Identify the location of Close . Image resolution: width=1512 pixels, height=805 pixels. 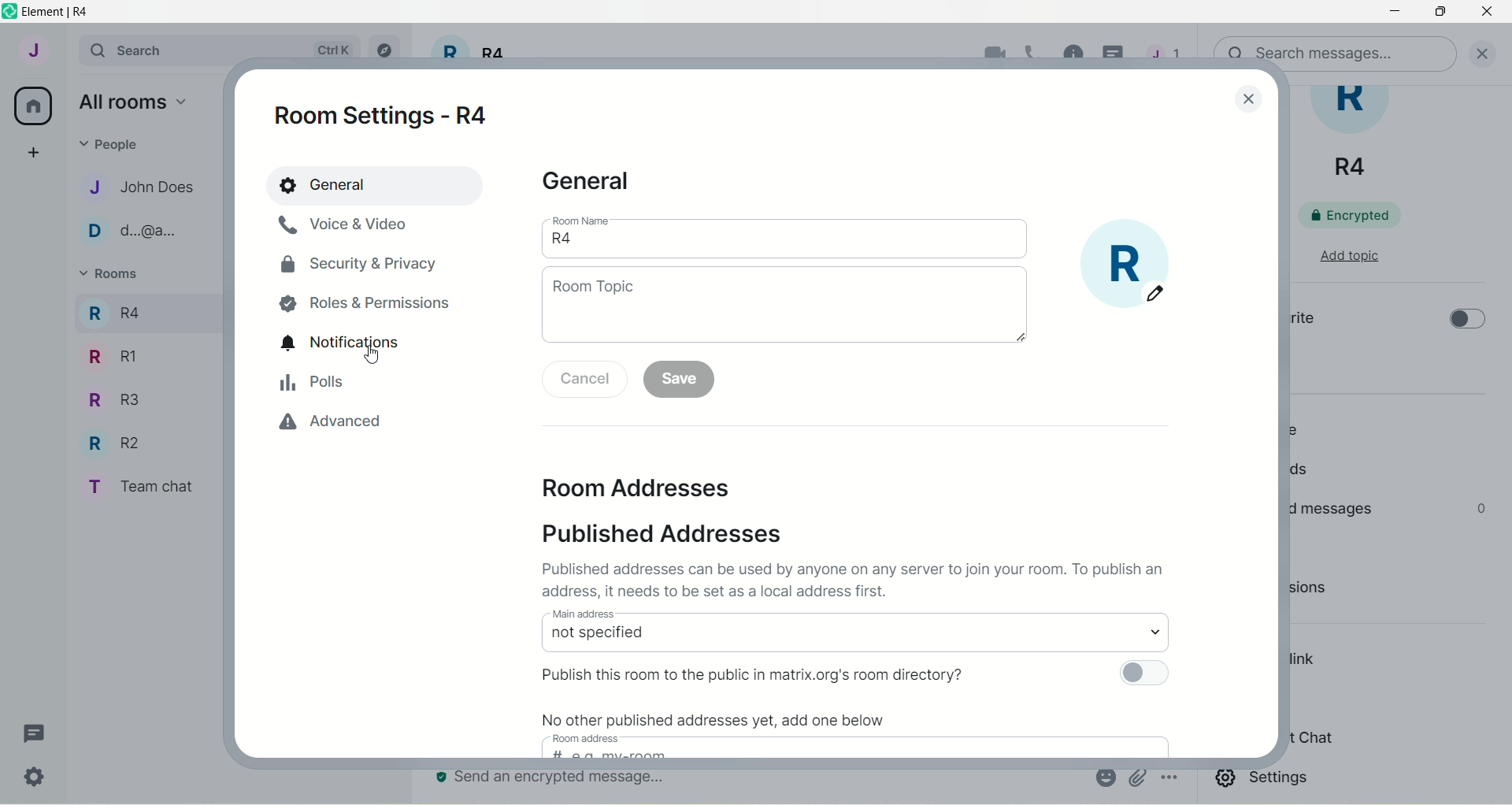
(1251, 99).